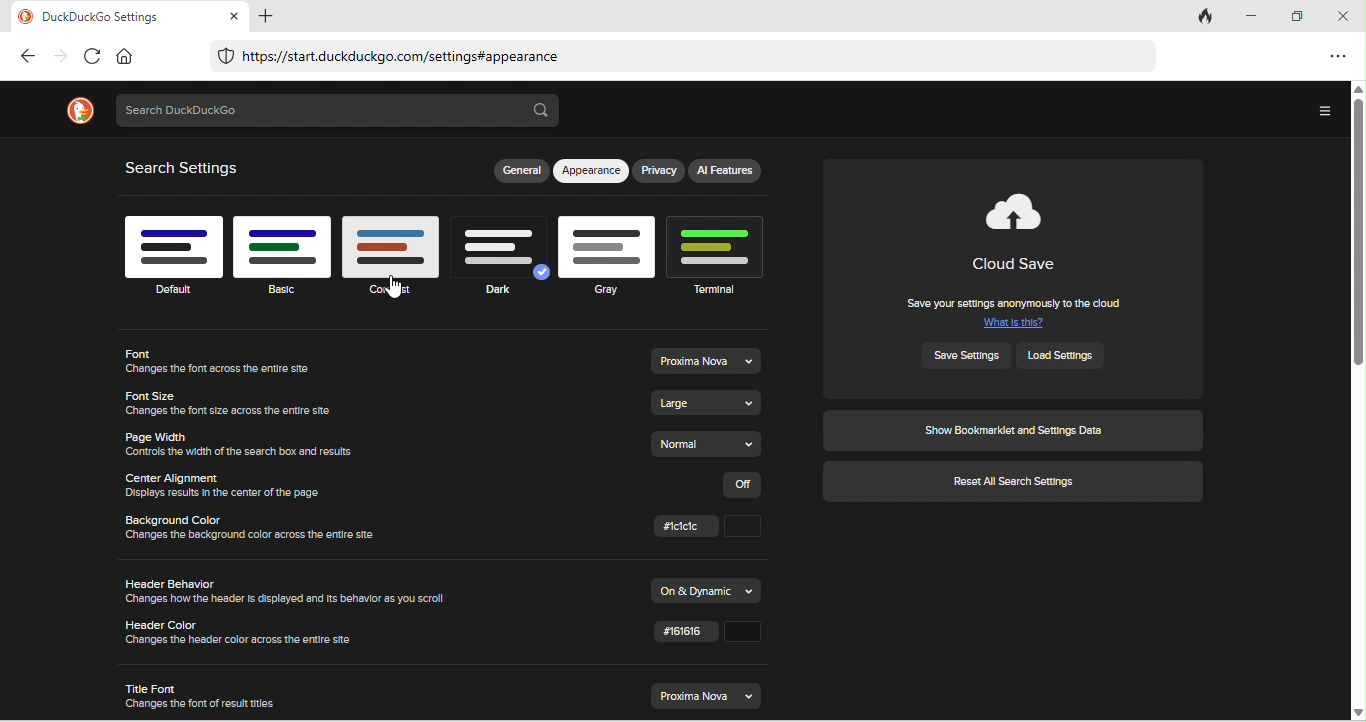 This screenshot has height=722, width=1366. What do you see at coordinates (709, 589) in the screenshot?
I see `on and dynamic` at bounding box center [709, 589].